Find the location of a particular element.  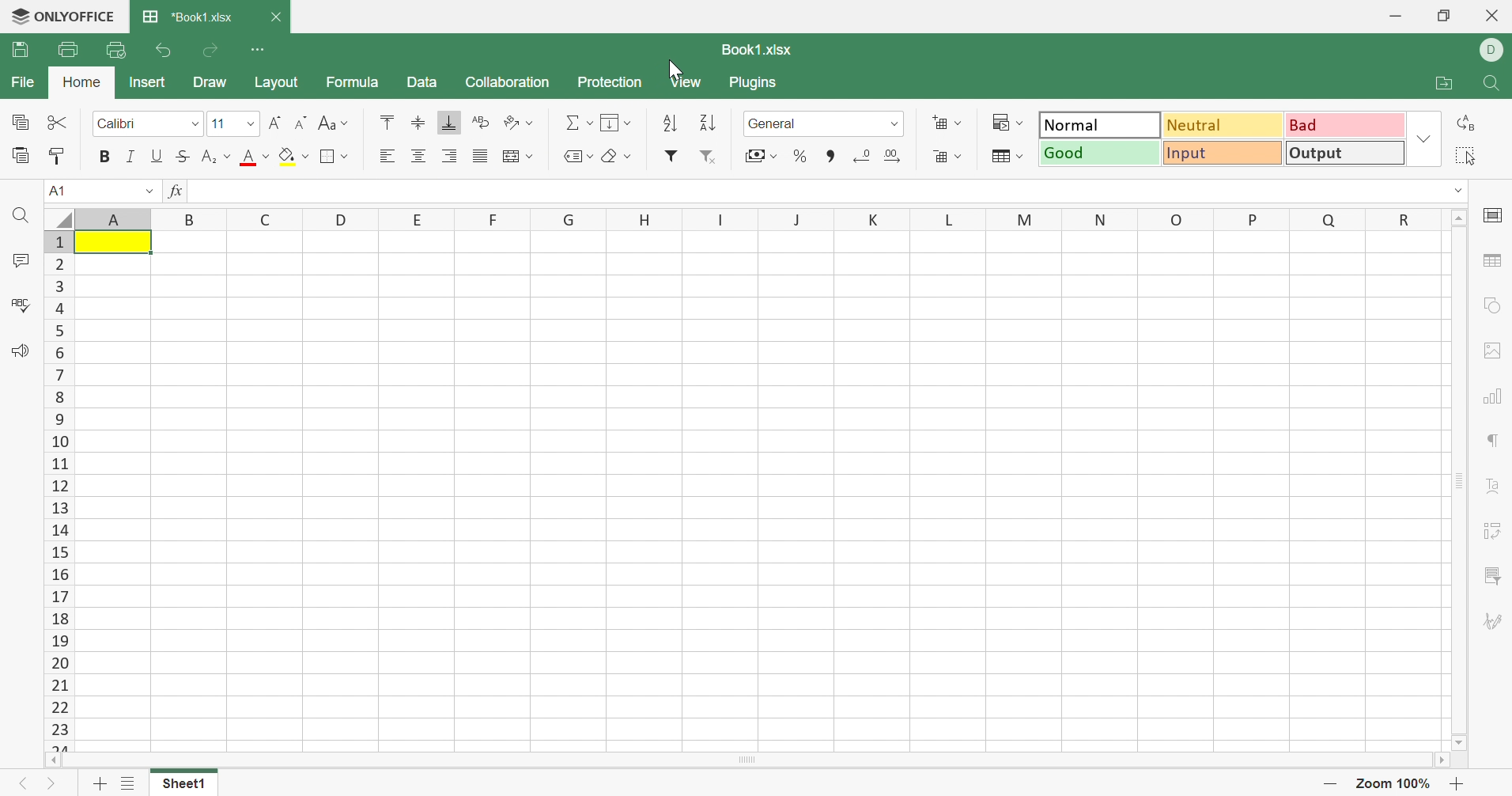

Insert cells is located at coordinates (948, 124).